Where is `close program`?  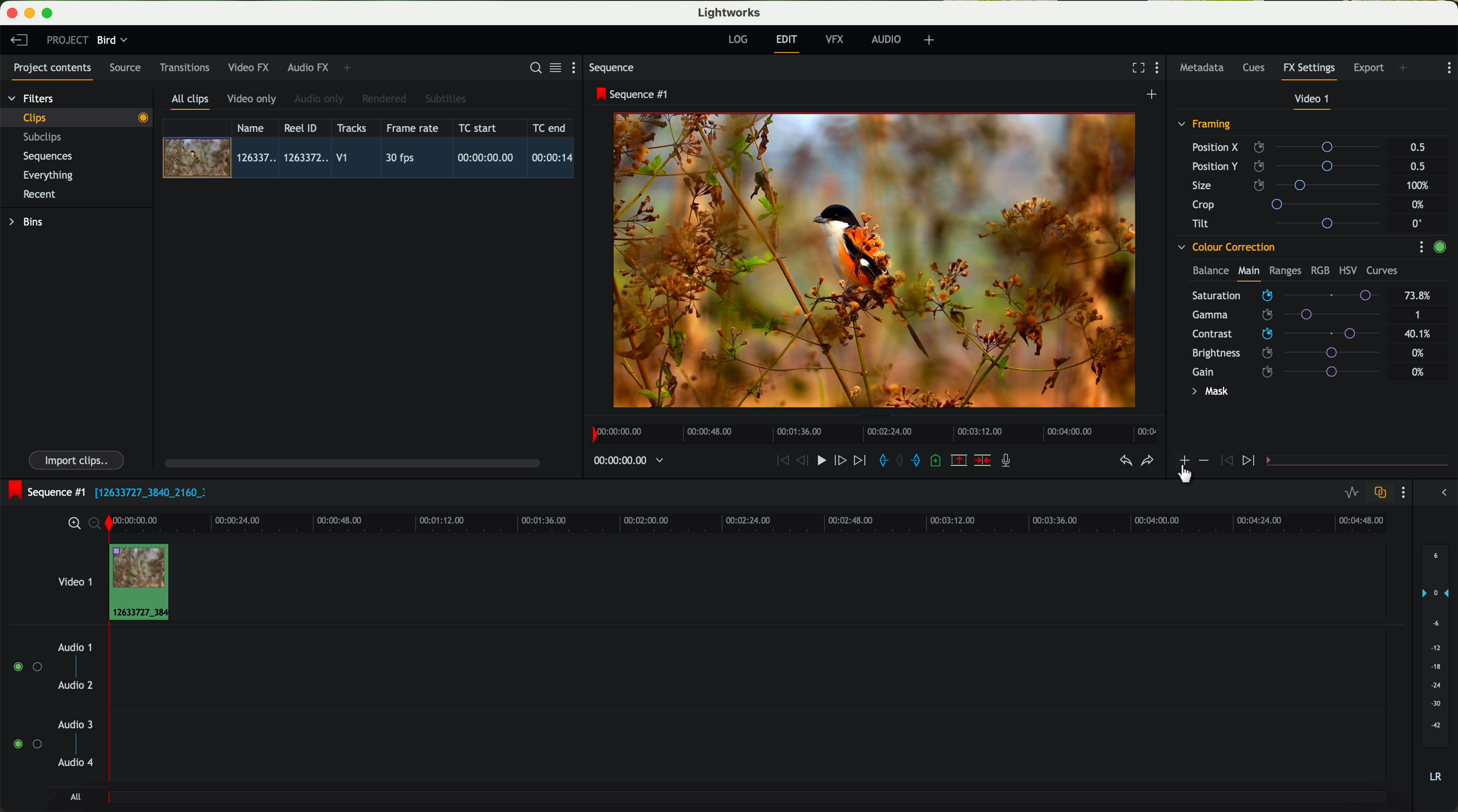
close program is located at coordinates (12, 13).